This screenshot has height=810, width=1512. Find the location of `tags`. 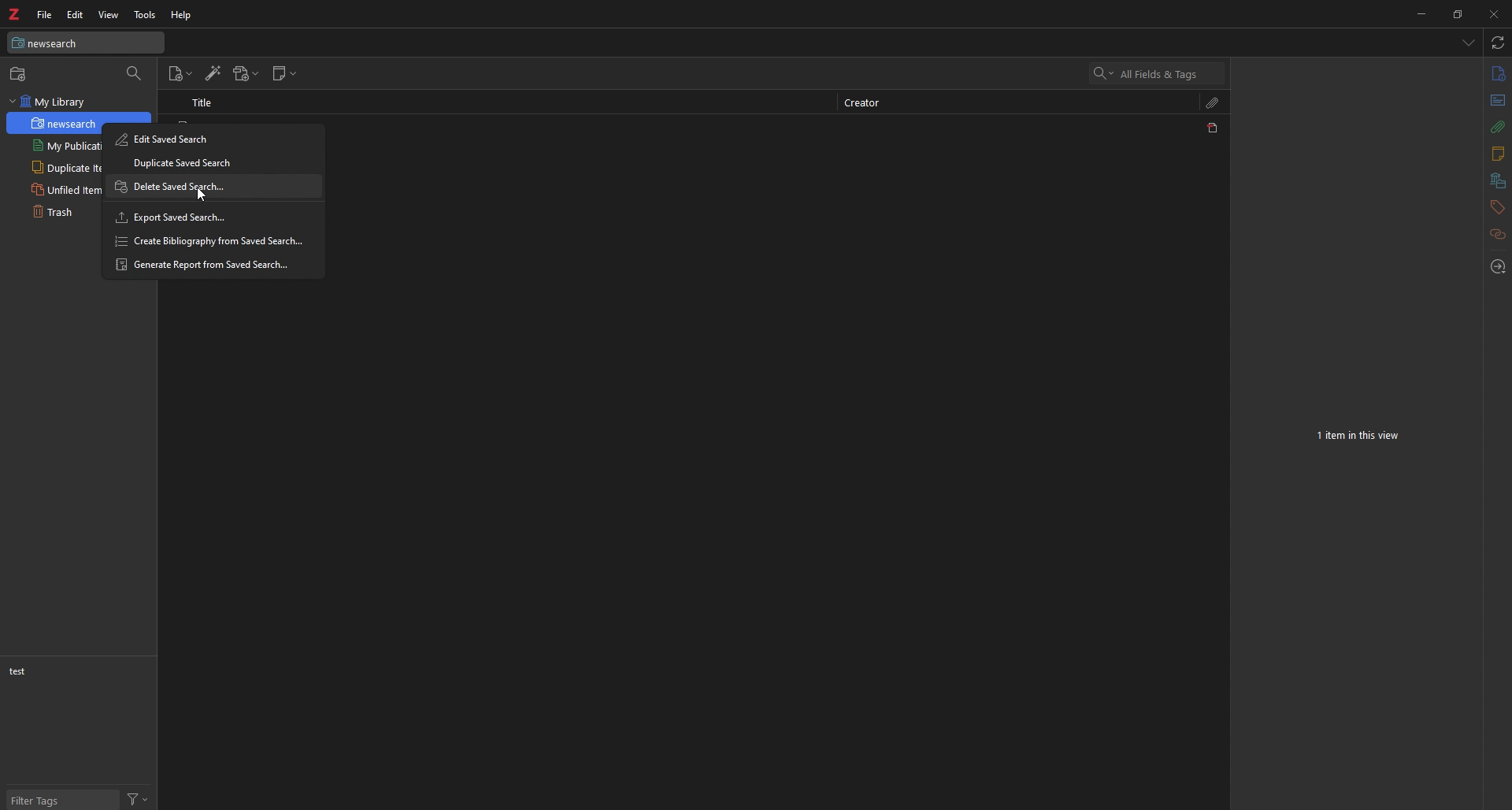

tags is located at coordinates (1497, 207).